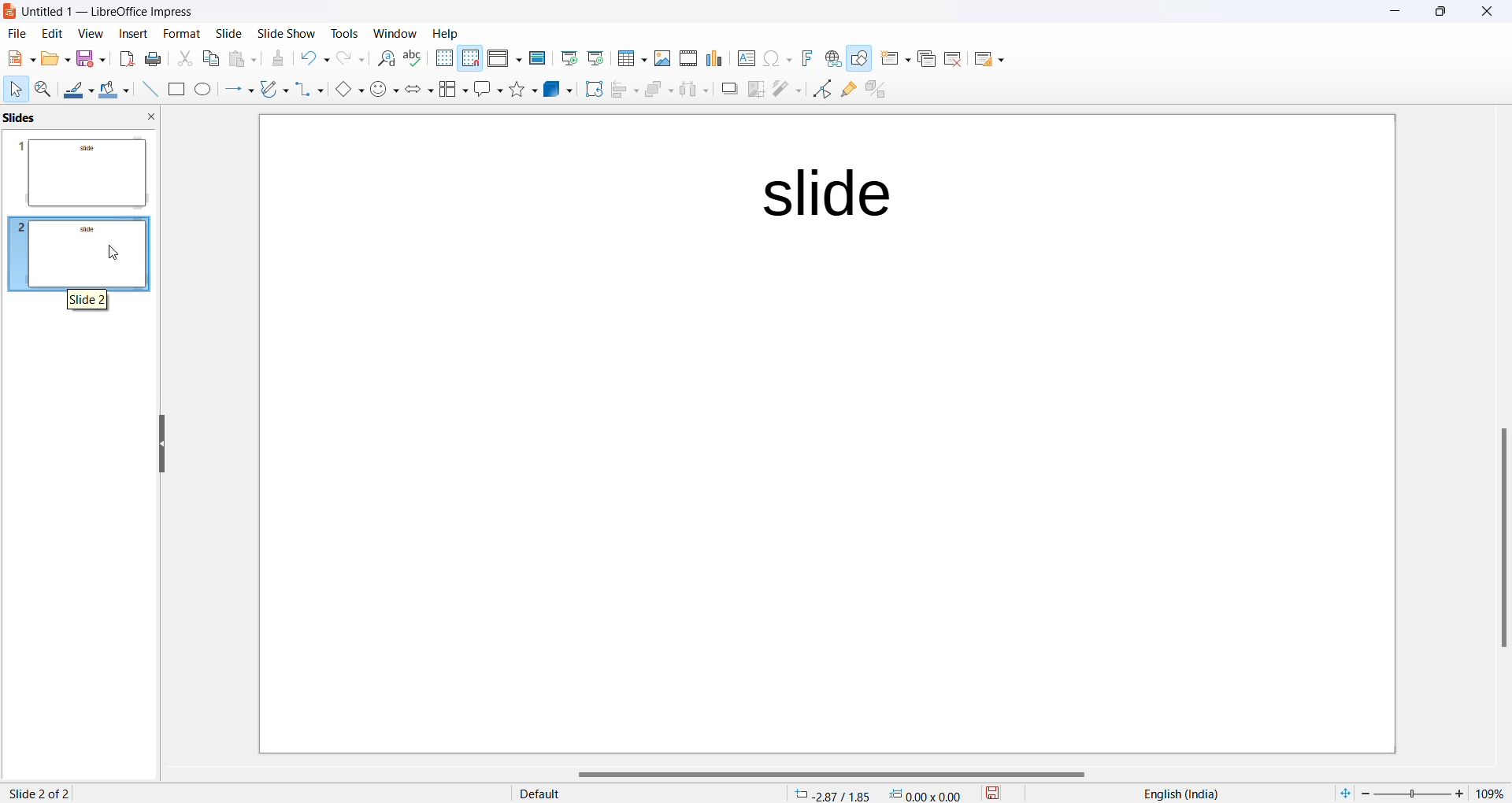  Describe the element at coordinates (1341, 793) in the screenshot. I see `fit to current window` at that location.